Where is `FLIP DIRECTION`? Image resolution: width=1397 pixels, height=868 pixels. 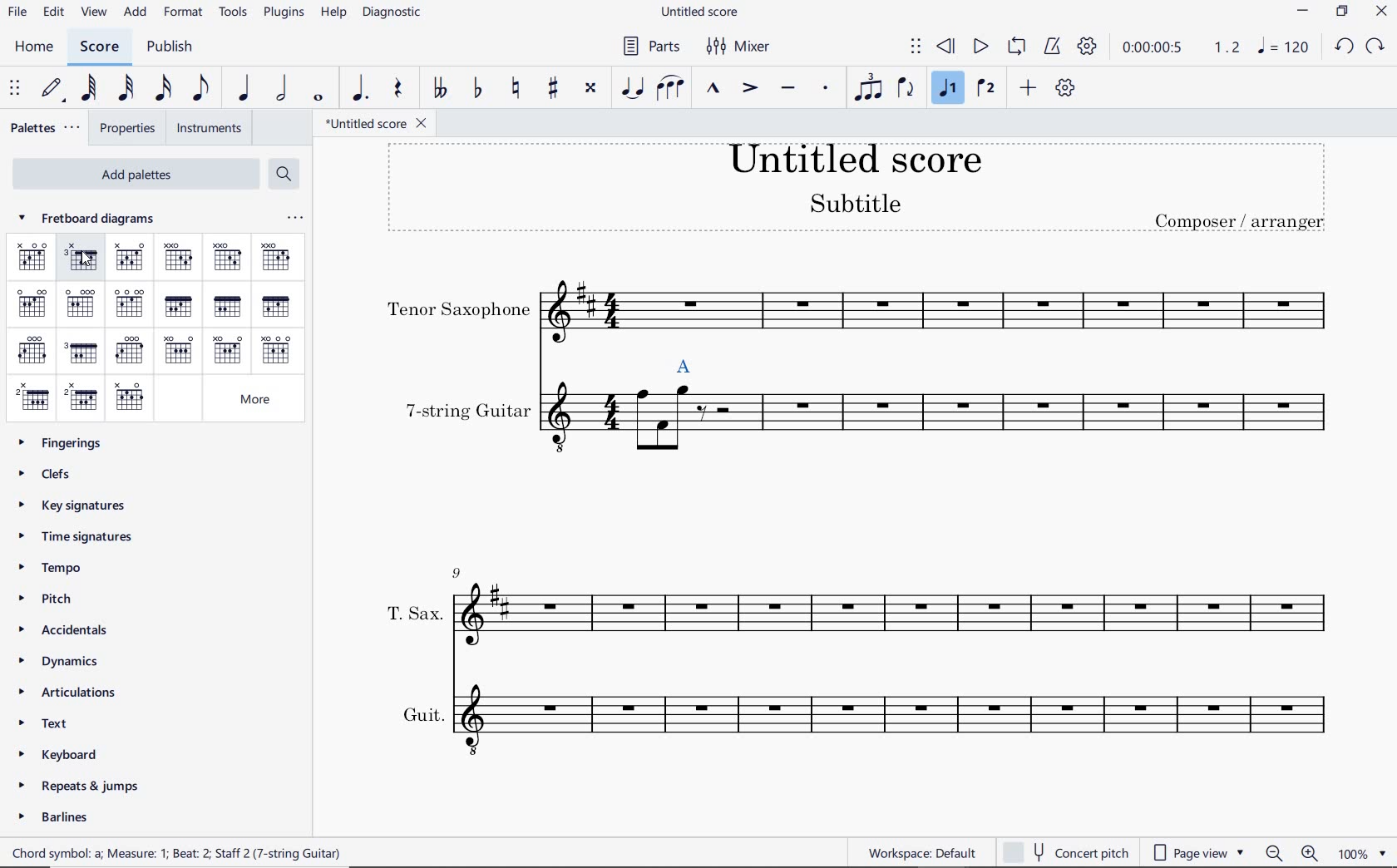 FLIP DIRECTION is located at coordinates (907, 89).